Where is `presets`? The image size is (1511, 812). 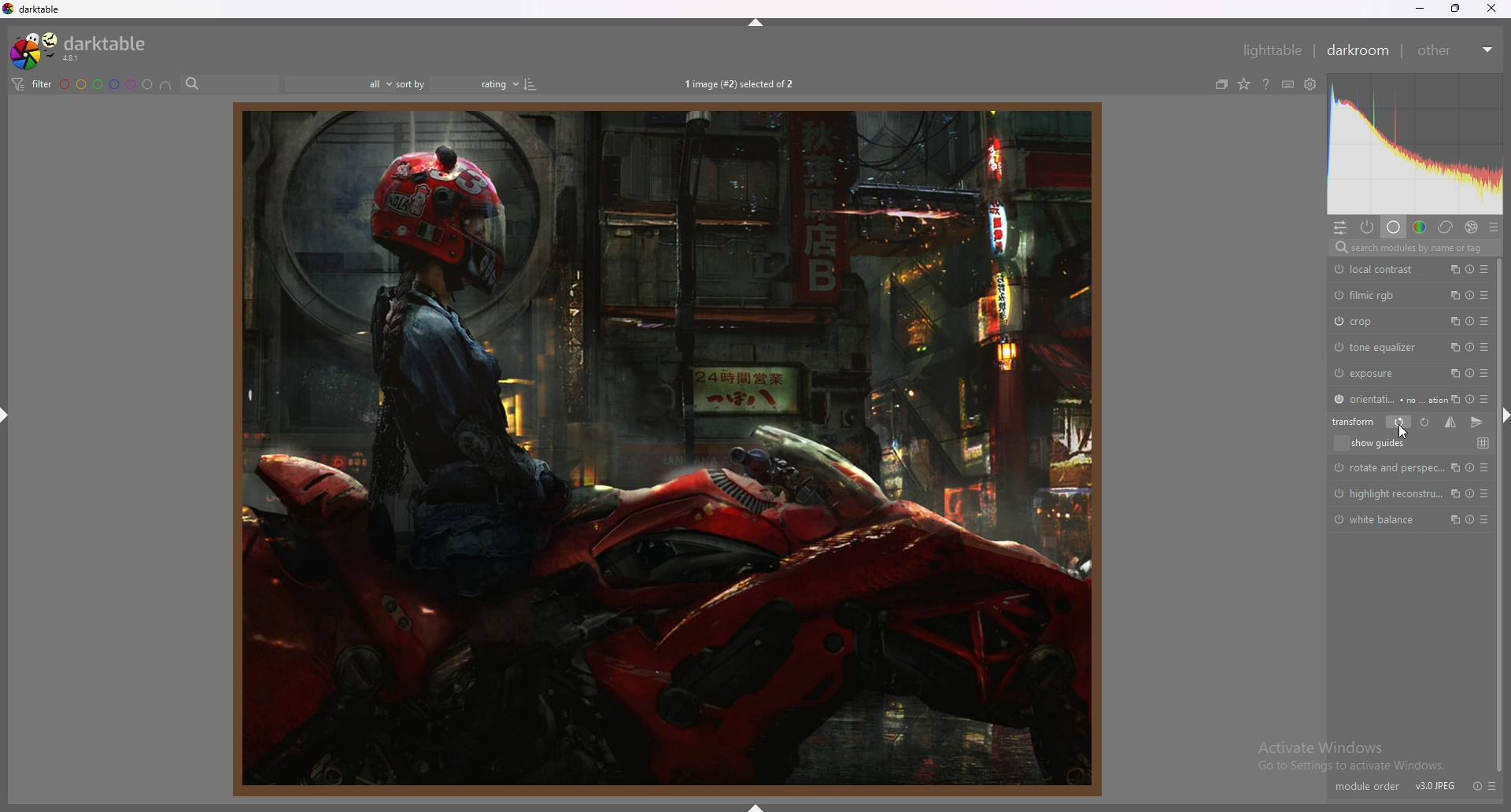
presets is located at coordinates (1485, 321).